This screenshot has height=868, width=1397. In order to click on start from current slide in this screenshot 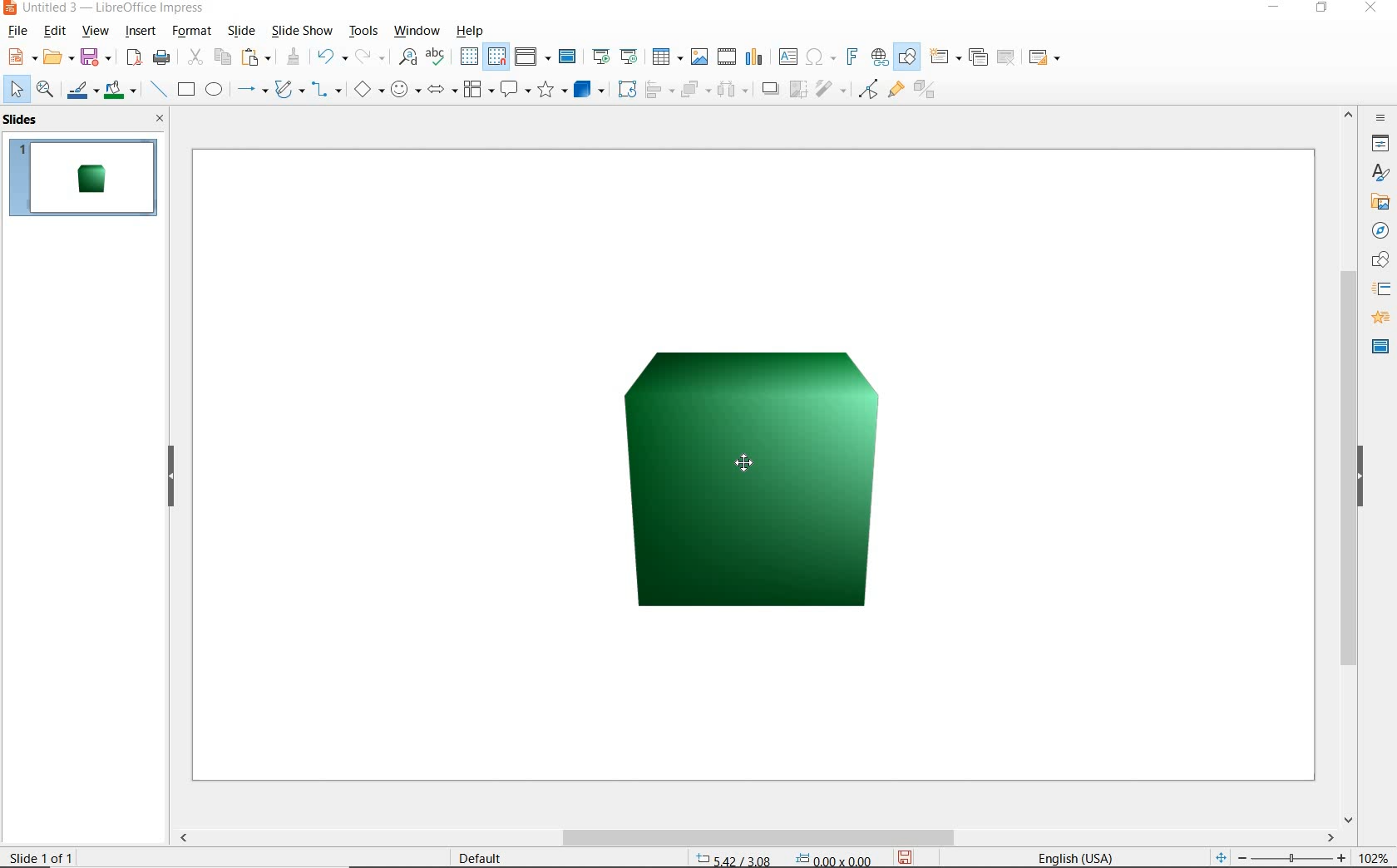, I will do `click(630, 57)`.